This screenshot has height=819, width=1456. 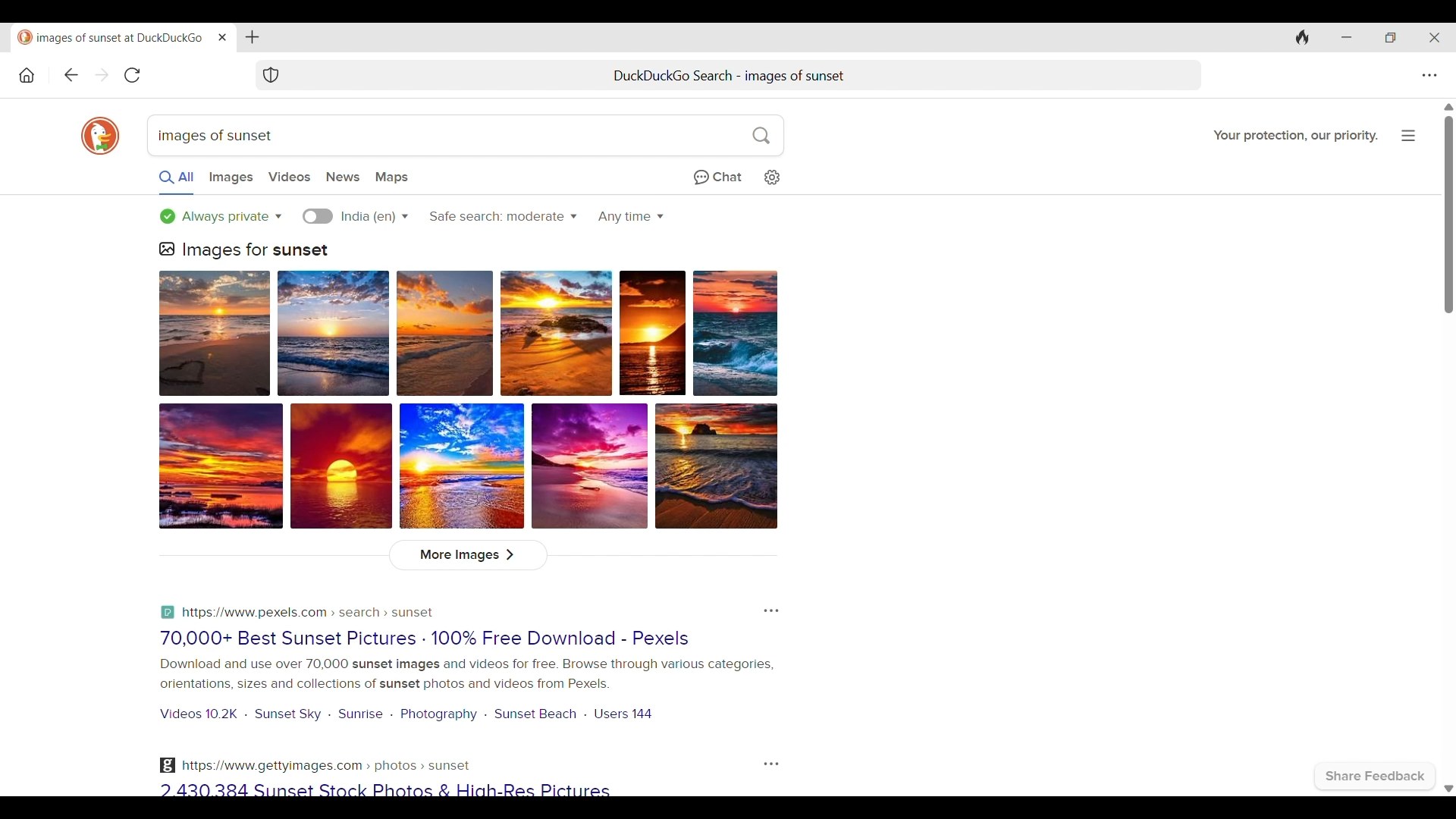 I want to click on Scroll down, so click(x=1447, y=789).